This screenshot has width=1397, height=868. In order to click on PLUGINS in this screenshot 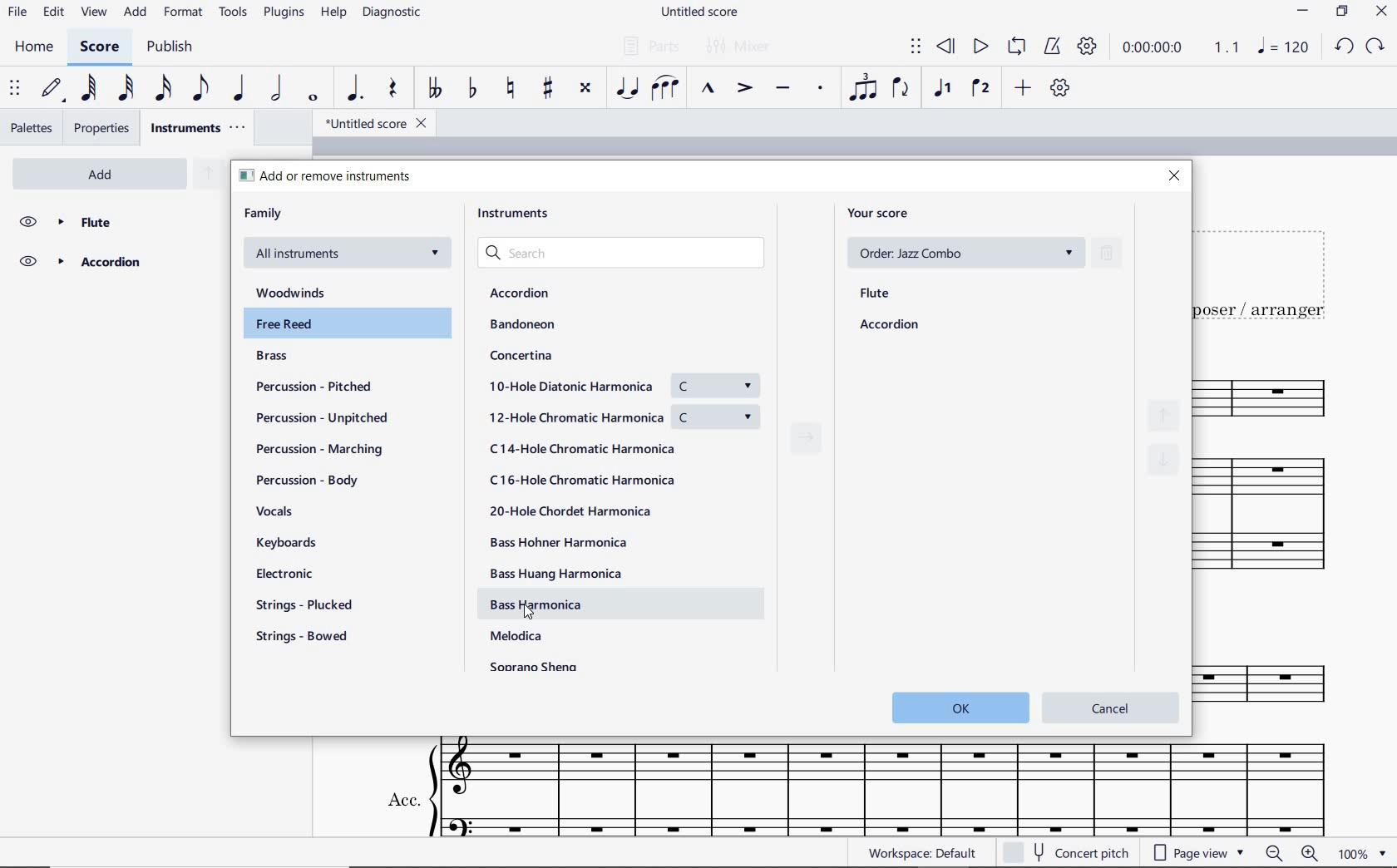, I will do `click(286, 13)`.